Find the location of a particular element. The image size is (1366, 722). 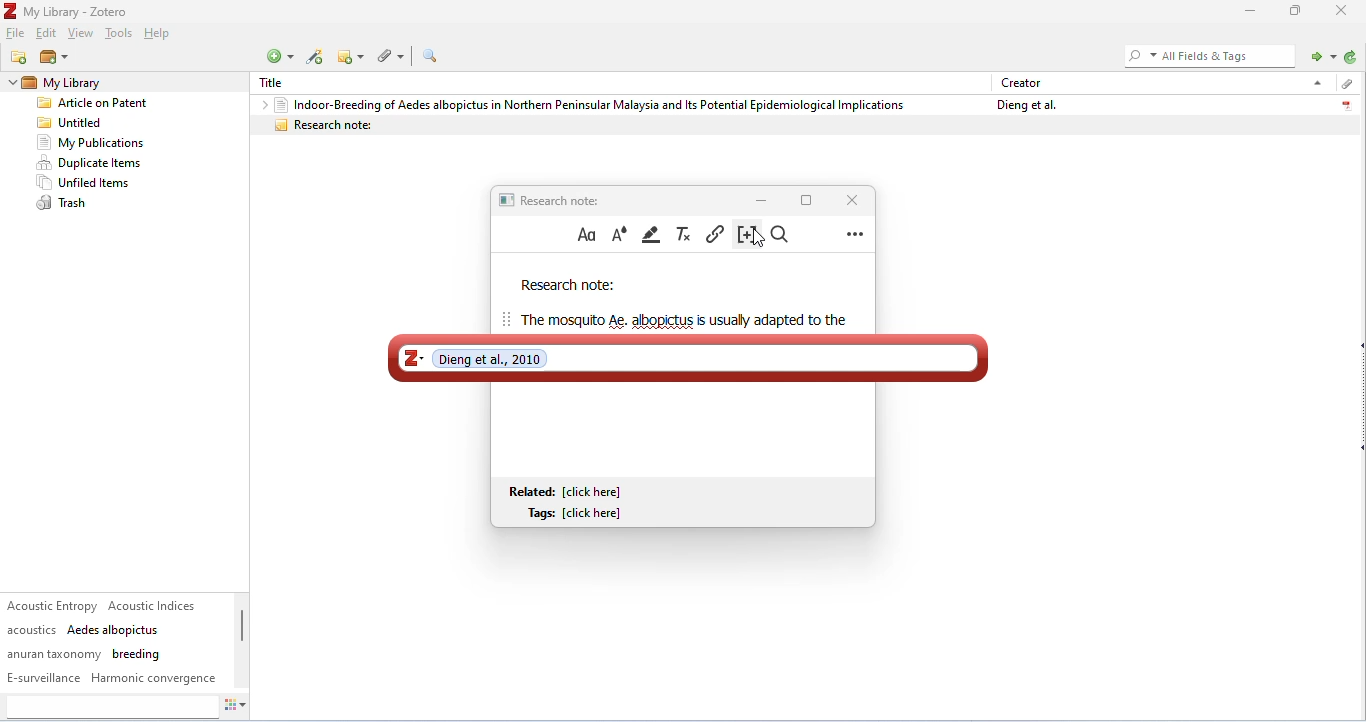

vertical scroll bar is located at coordinates (242, 636).